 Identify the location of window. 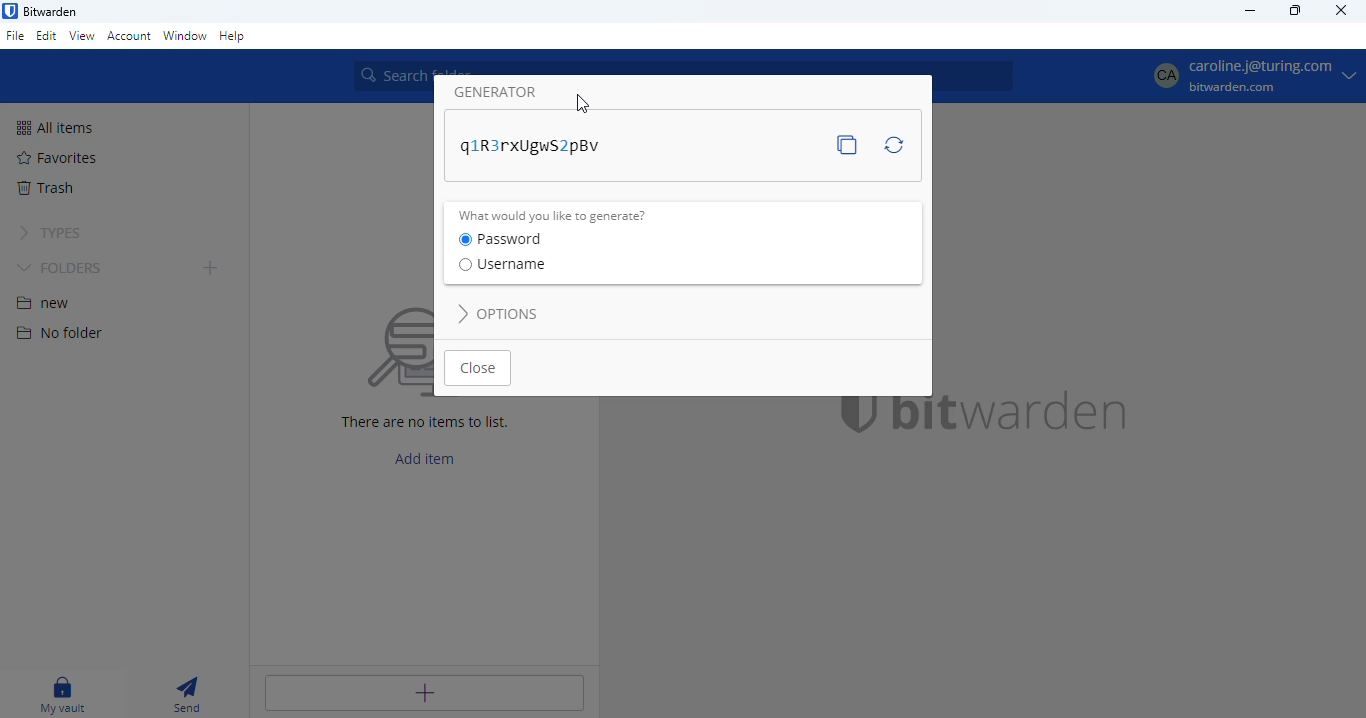
(185, 36).